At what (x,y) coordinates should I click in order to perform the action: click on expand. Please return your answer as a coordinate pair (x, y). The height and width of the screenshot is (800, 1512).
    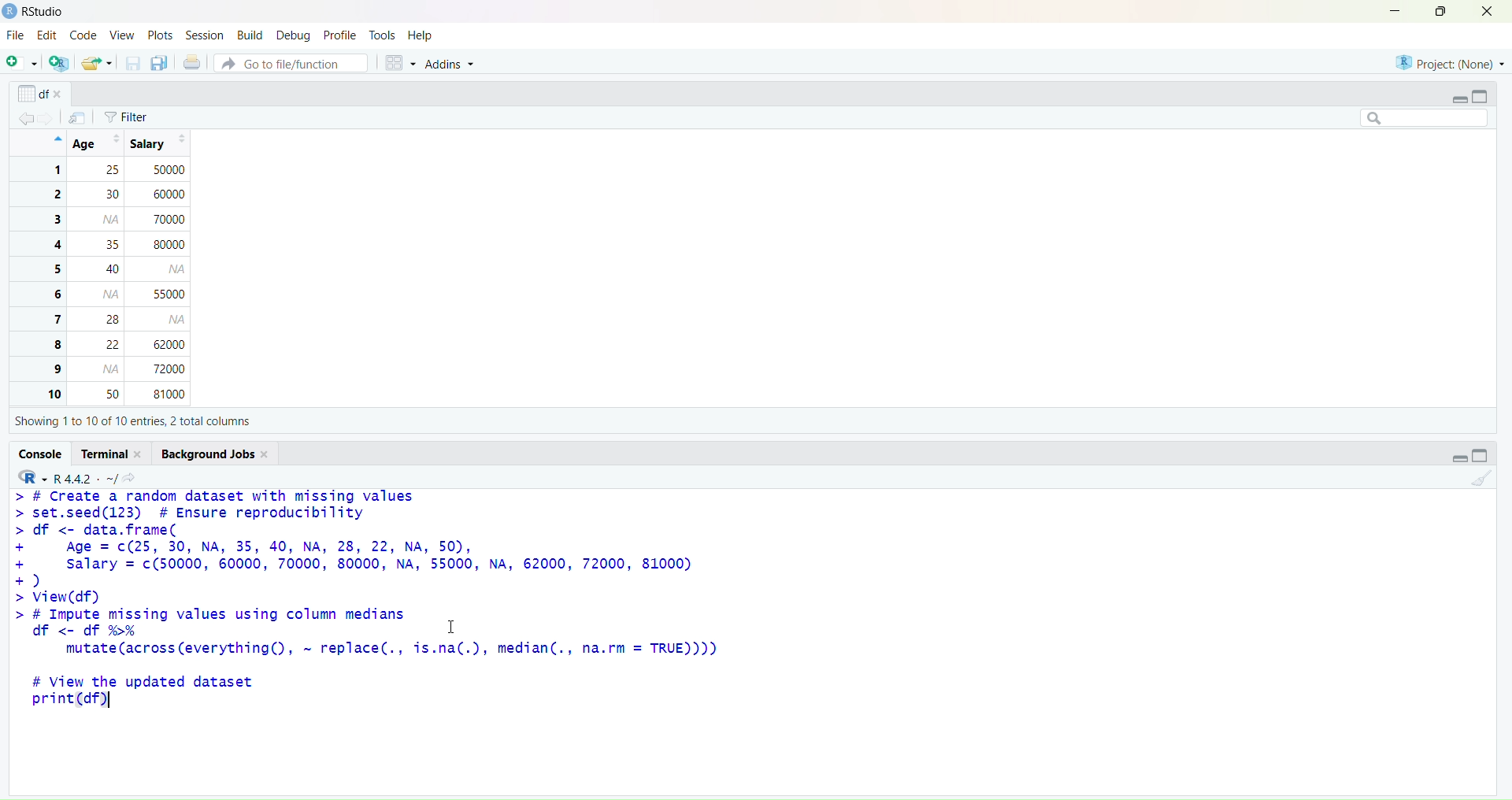
    Looking at the image, I should click on (1459, 98).